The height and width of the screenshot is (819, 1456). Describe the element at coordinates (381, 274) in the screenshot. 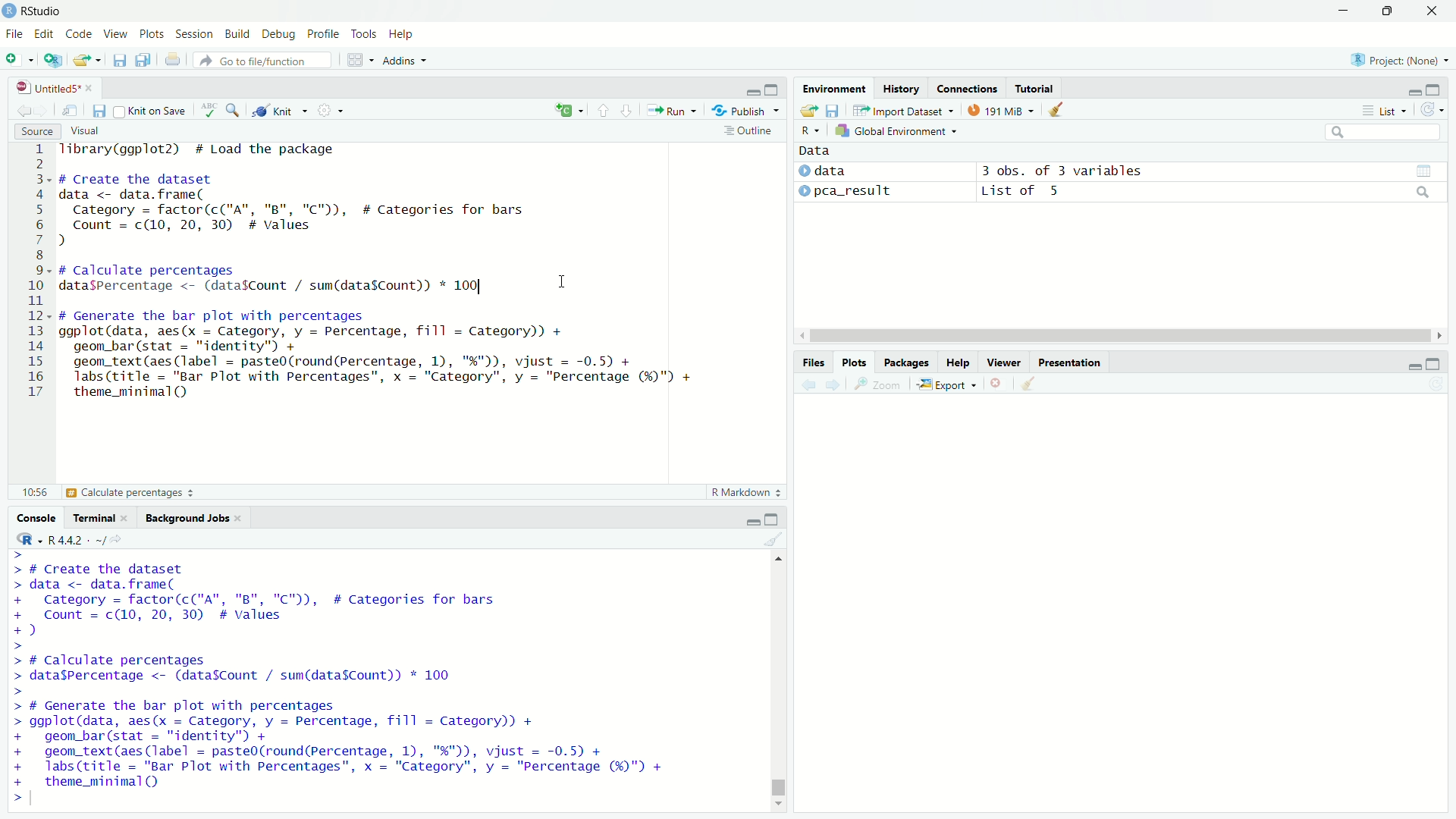

I see `Code - library(ggplot2) # Load the package# Create the datasetdata <- data.frame(Category = factor(c("A", "B", "C"™)), # Categories for barsCount = c(10, 20, 30) # Values)# Calculate percentagesdataspercentage <- (datafCount / sum(datasCount)) * 100 I# Generate the bar plot with percentagesggplot(data, aes(x = Category, y = Percentage, fill = Category)) +geom_bar(stat = "identity") +geom_text (aes (label = paste0(round(Percentage, 1), "%")), vjust = -0.5) +Tabs(title = "Bar Plot with Percentages", x = "Category", y = "Percentage (%)") +theme_minimal OQ` at that location.